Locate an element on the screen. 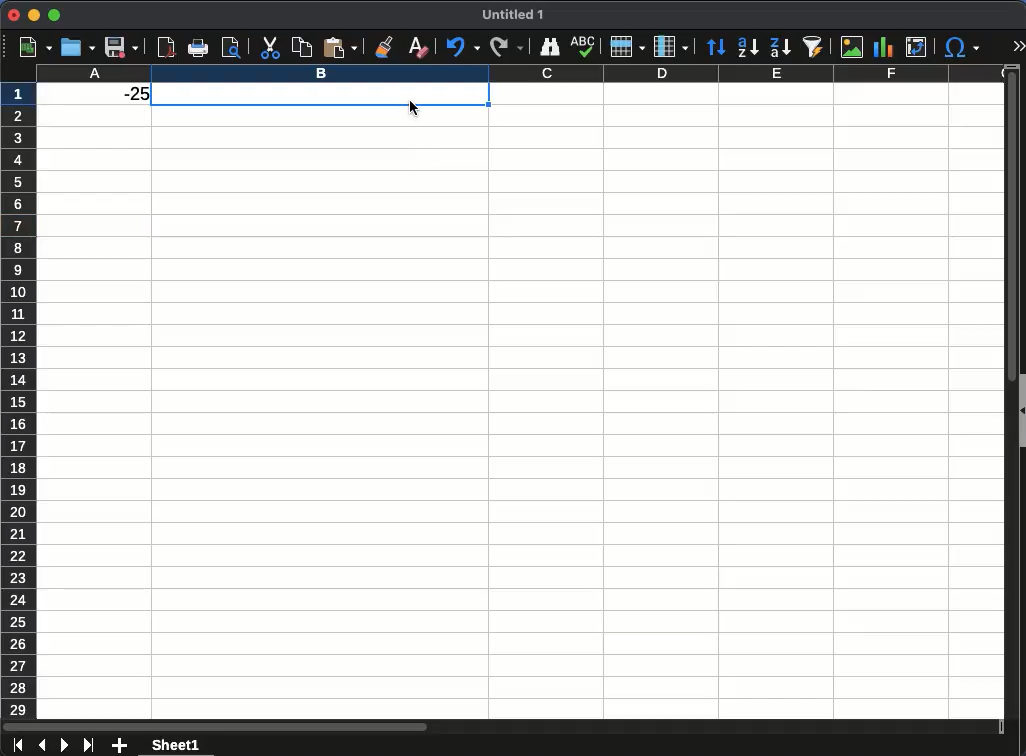 The height and width of the screenshot is (756, 1026). ascending is located at coordinates (748, 48).